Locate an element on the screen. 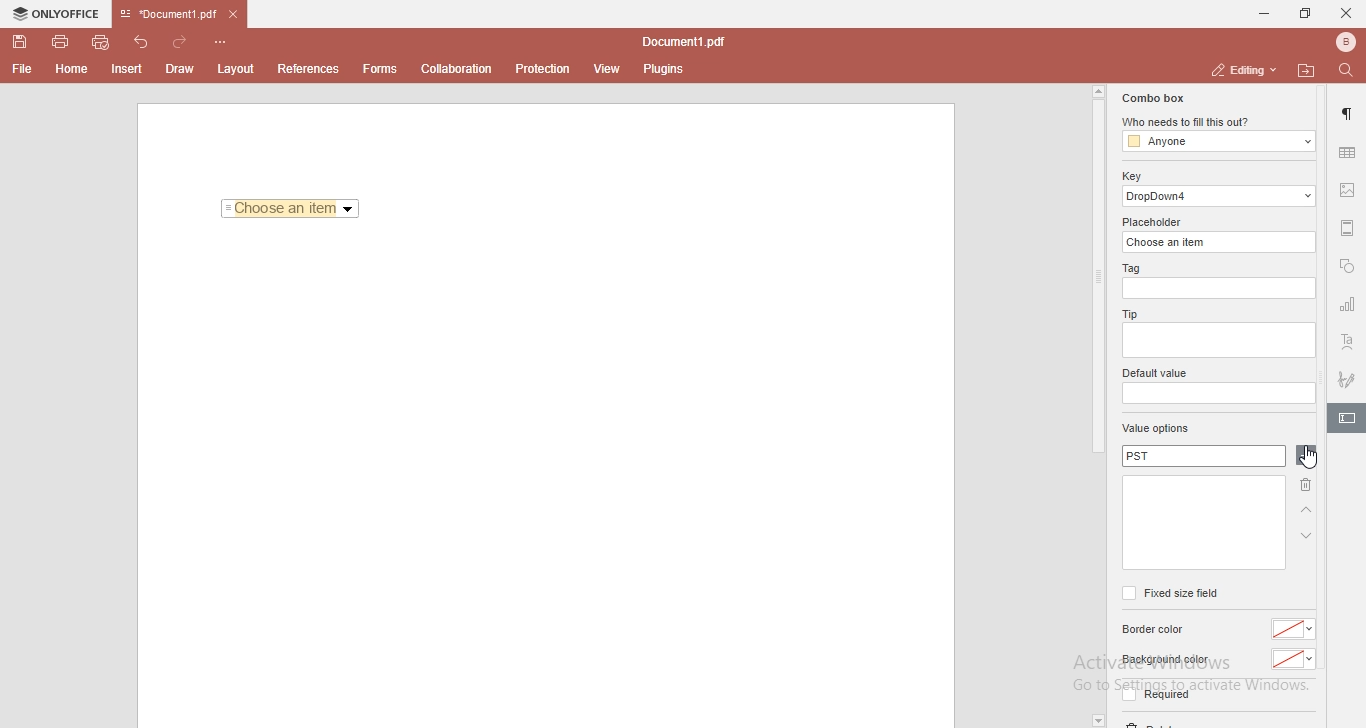 Image resolution: width=1366 pixels, height=728 pixels. signature is located at coordinates (1348, 376).